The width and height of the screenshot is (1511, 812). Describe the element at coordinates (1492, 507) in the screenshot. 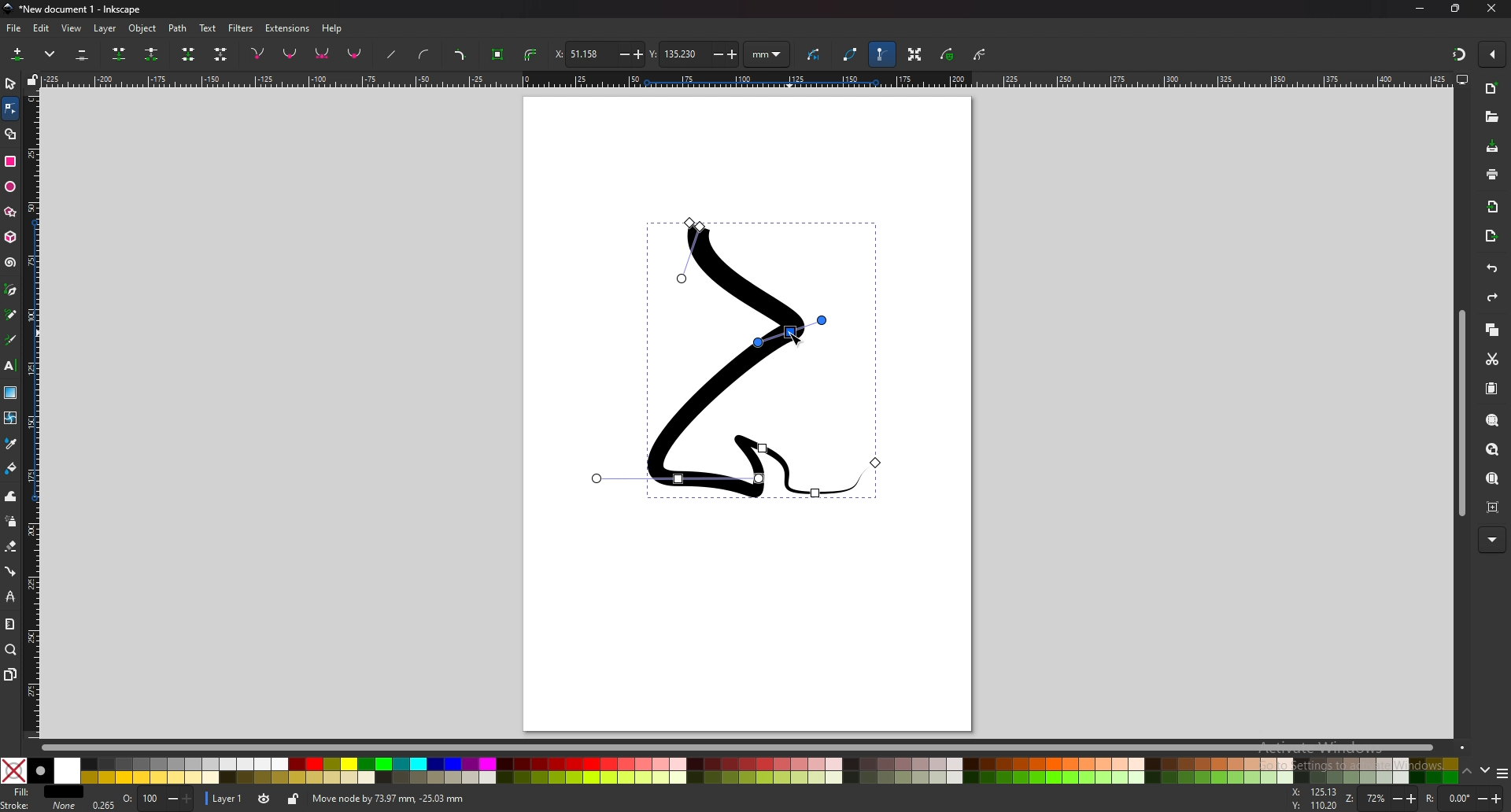

I see `zoom center page` at that location.